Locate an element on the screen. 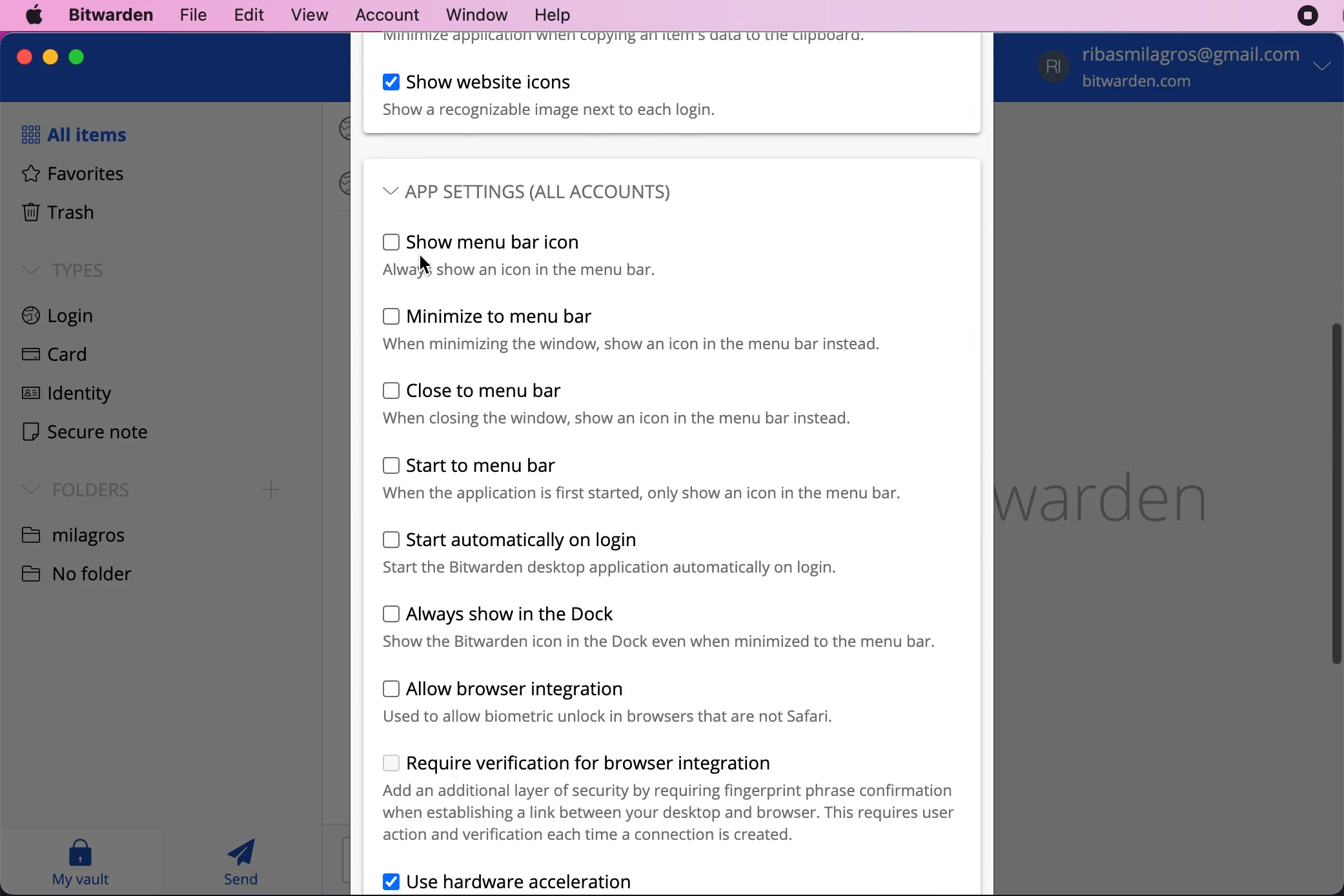 Image resolution: width=1344 pixels, height=896 pixels. maximize is located at coordinates (76, 56).